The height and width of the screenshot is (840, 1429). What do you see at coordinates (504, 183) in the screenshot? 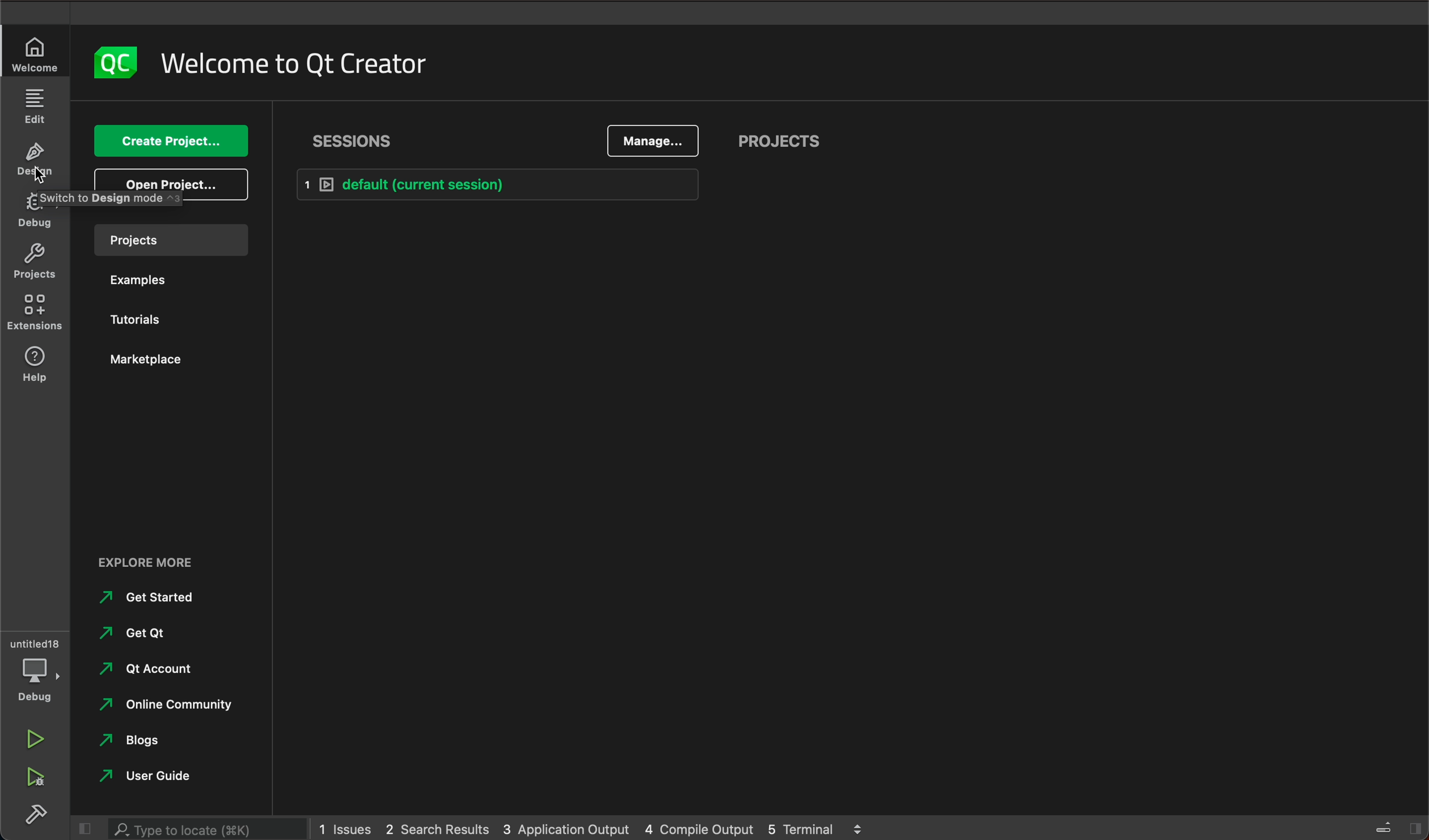
I see `default` at bounding box center [504, 183].